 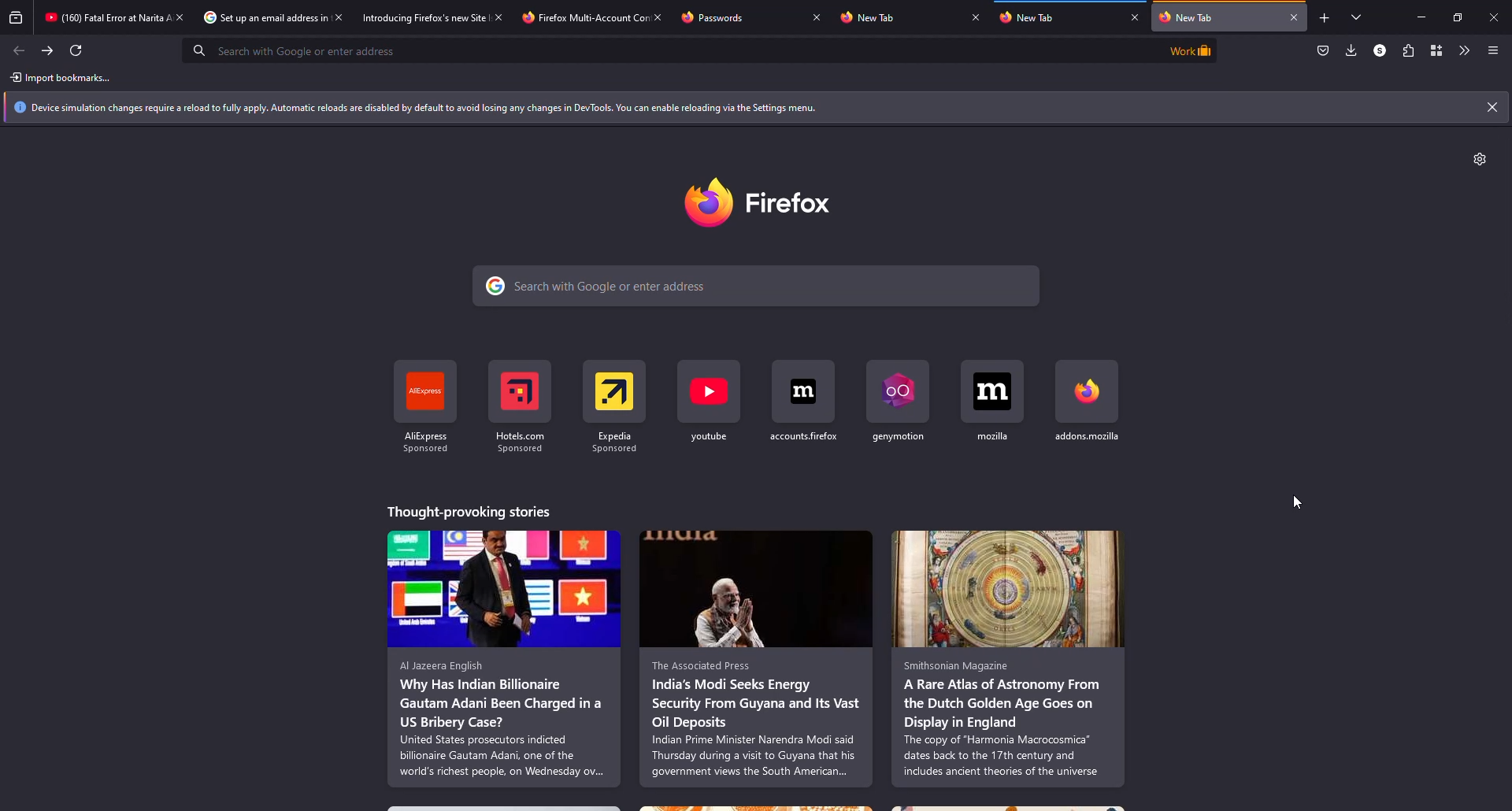 I want to click on refresh, so click(x=76, y=50).